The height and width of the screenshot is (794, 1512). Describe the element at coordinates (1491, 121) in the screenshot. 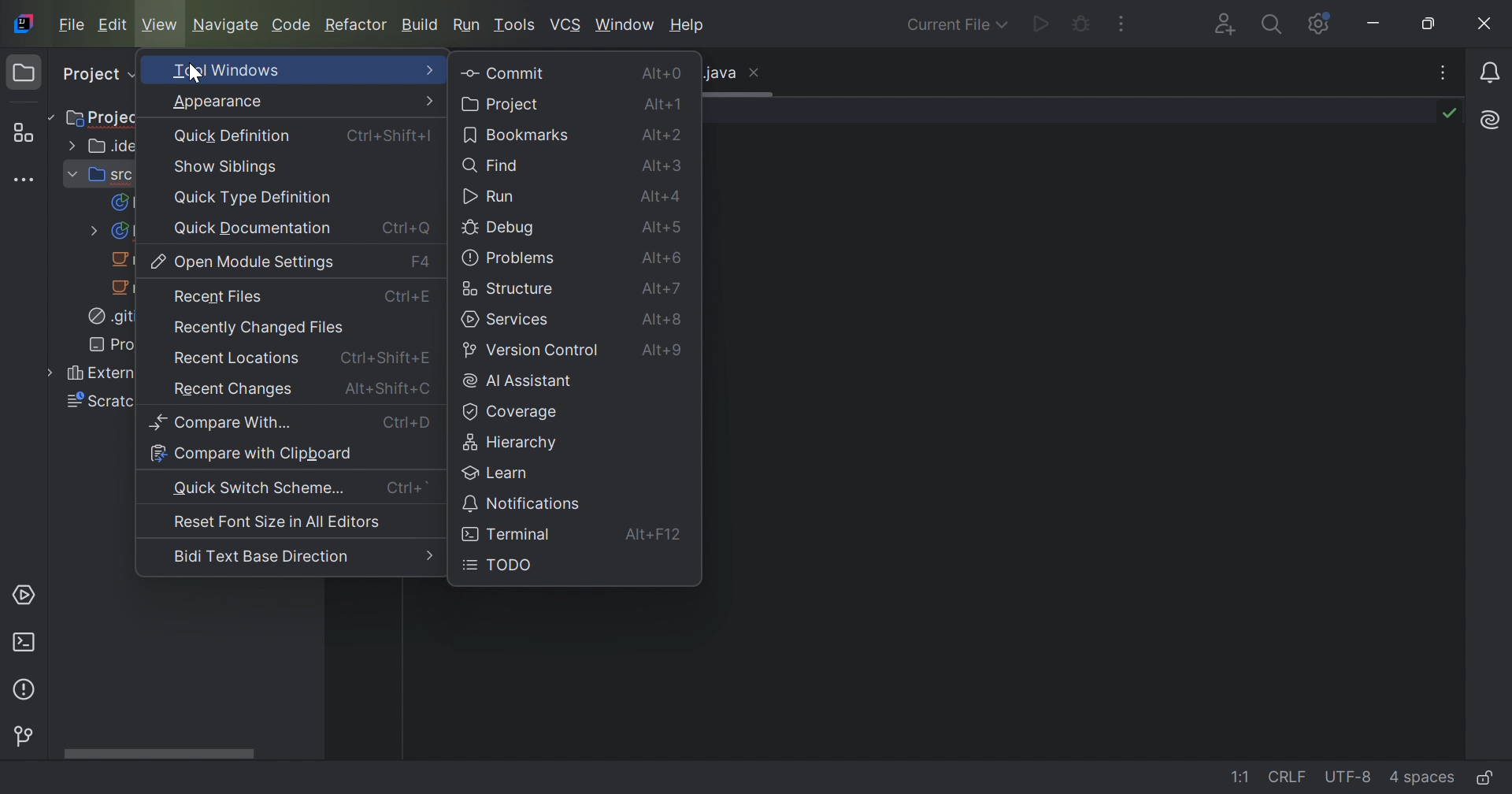

I see `AI Assistant` at that location.